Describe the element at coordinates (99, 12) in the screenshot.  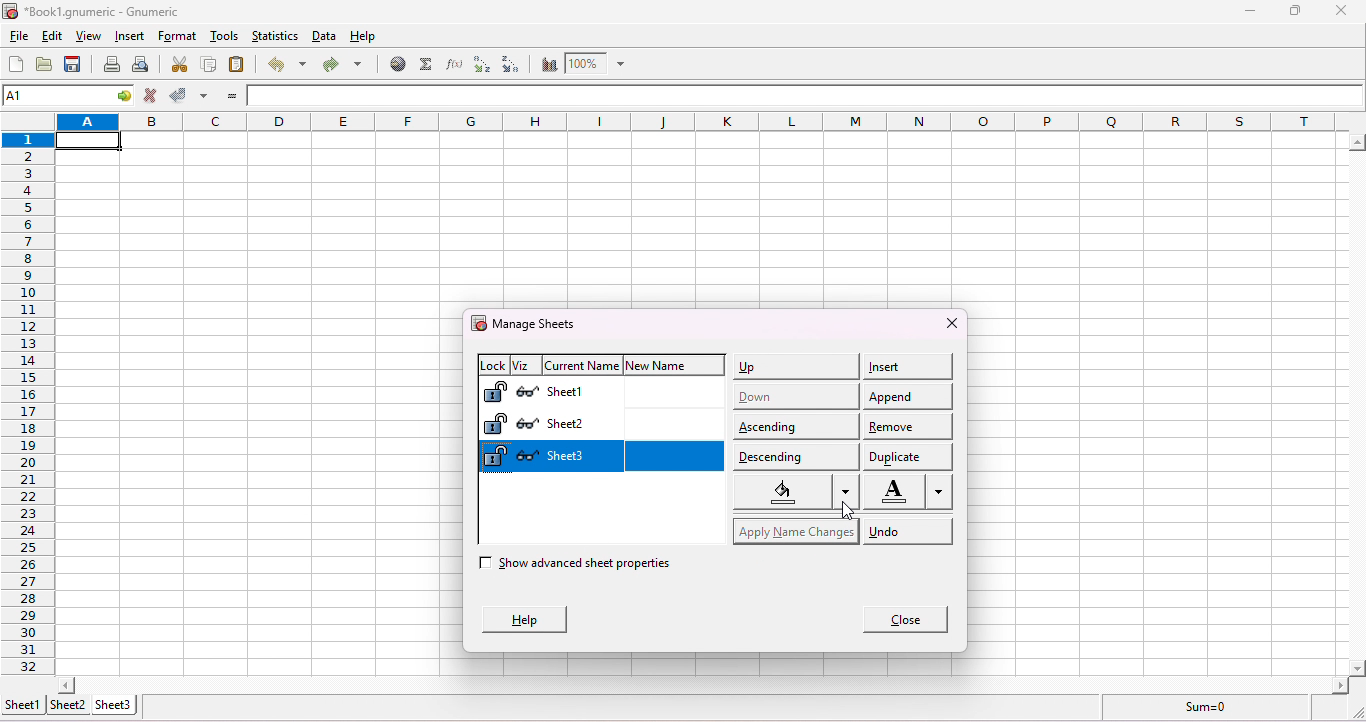
I see `*Book1.gnumeric - numeric` at that location.